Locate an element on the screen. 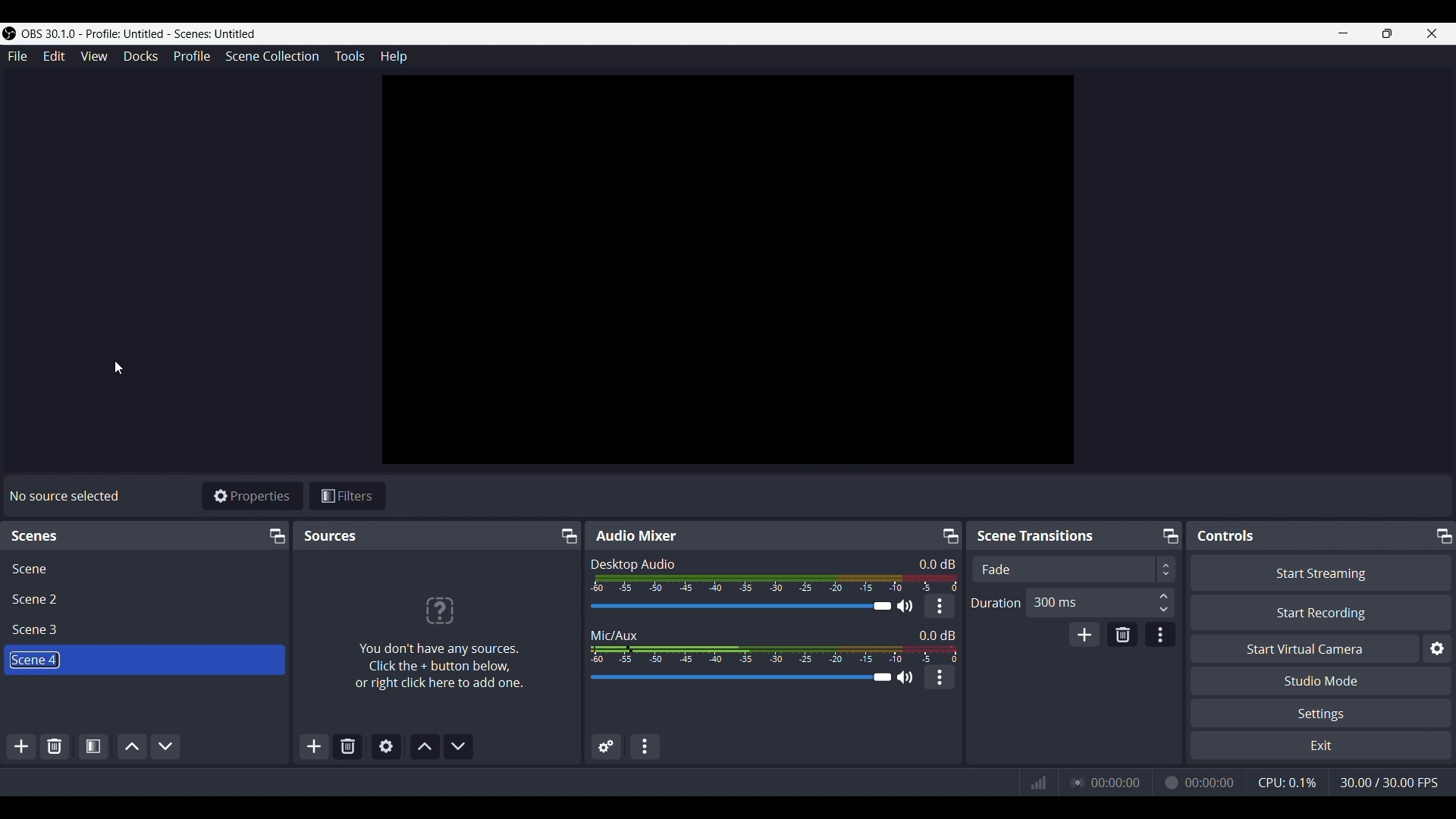 The width and height of the screenshot is (1456, 819). Open source properties is located at coordinates (384, 745).